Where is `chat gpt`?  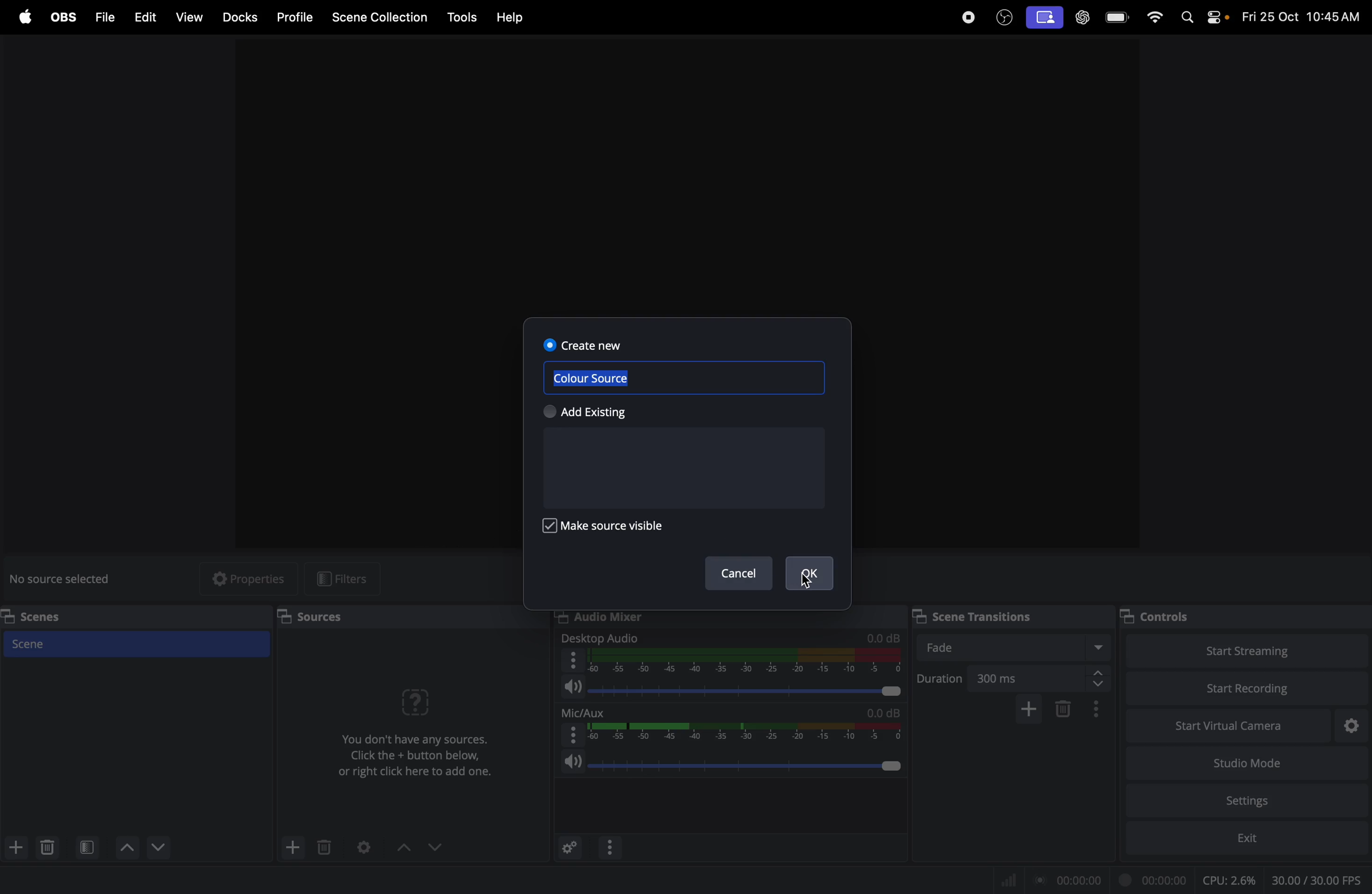
chat gpt is located at coordinates (1081, 18).